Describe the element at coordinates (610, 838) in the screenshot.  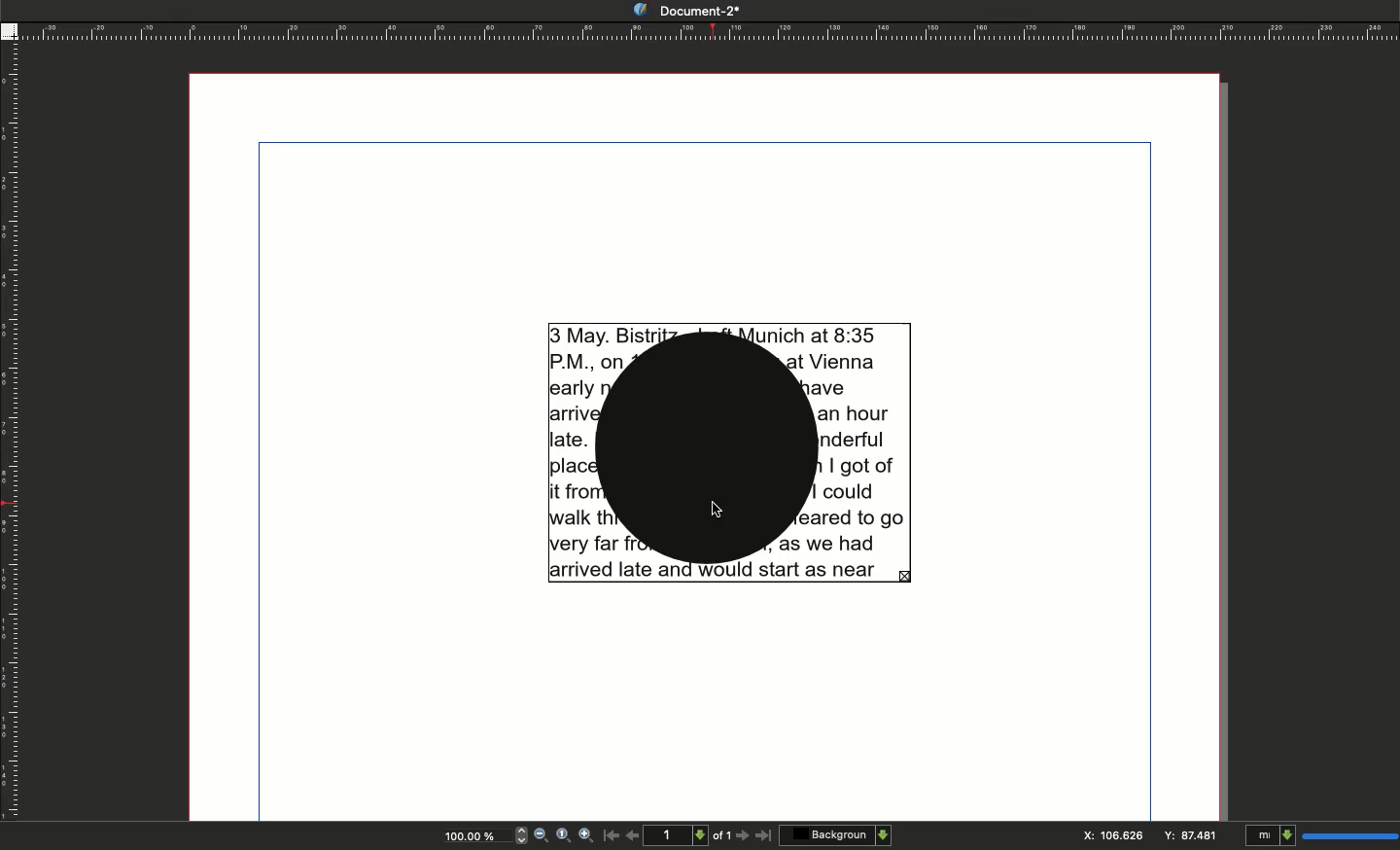
I see `First page` at that location.